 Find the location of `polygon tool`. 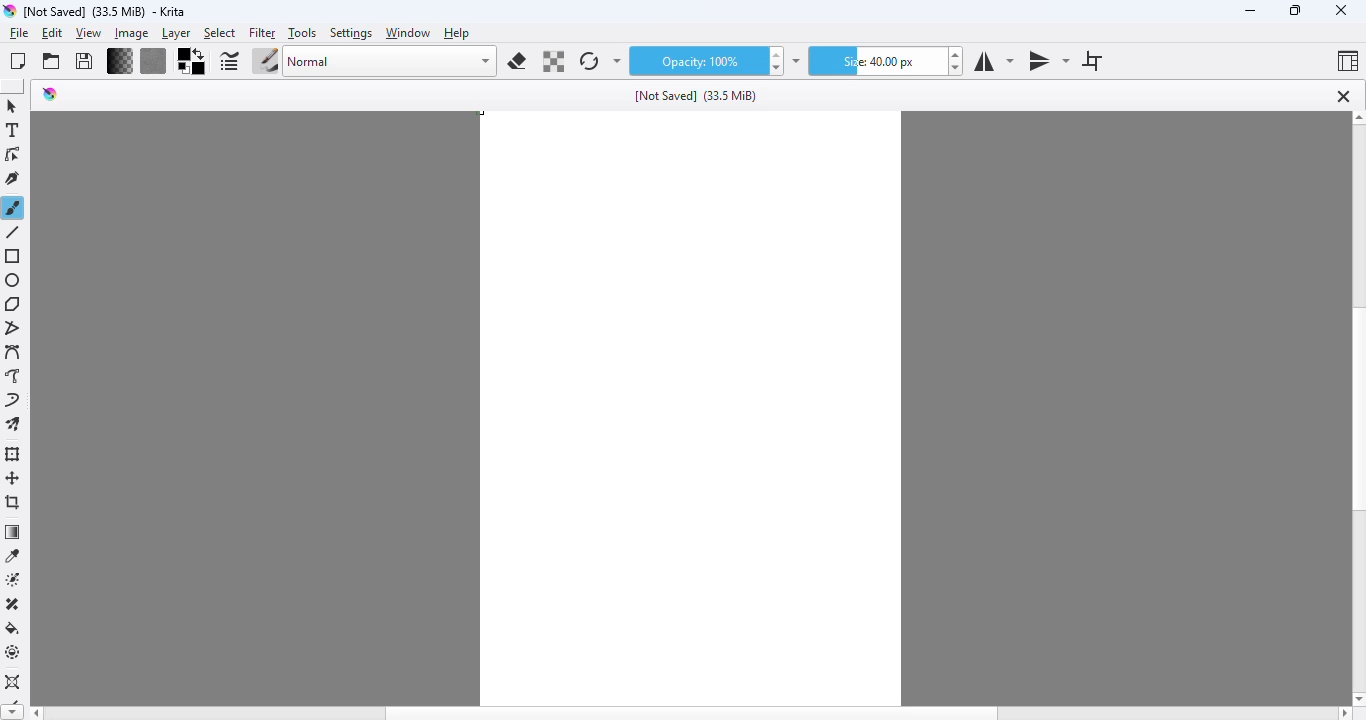

polygon tool is located at coordinates (14, 305).